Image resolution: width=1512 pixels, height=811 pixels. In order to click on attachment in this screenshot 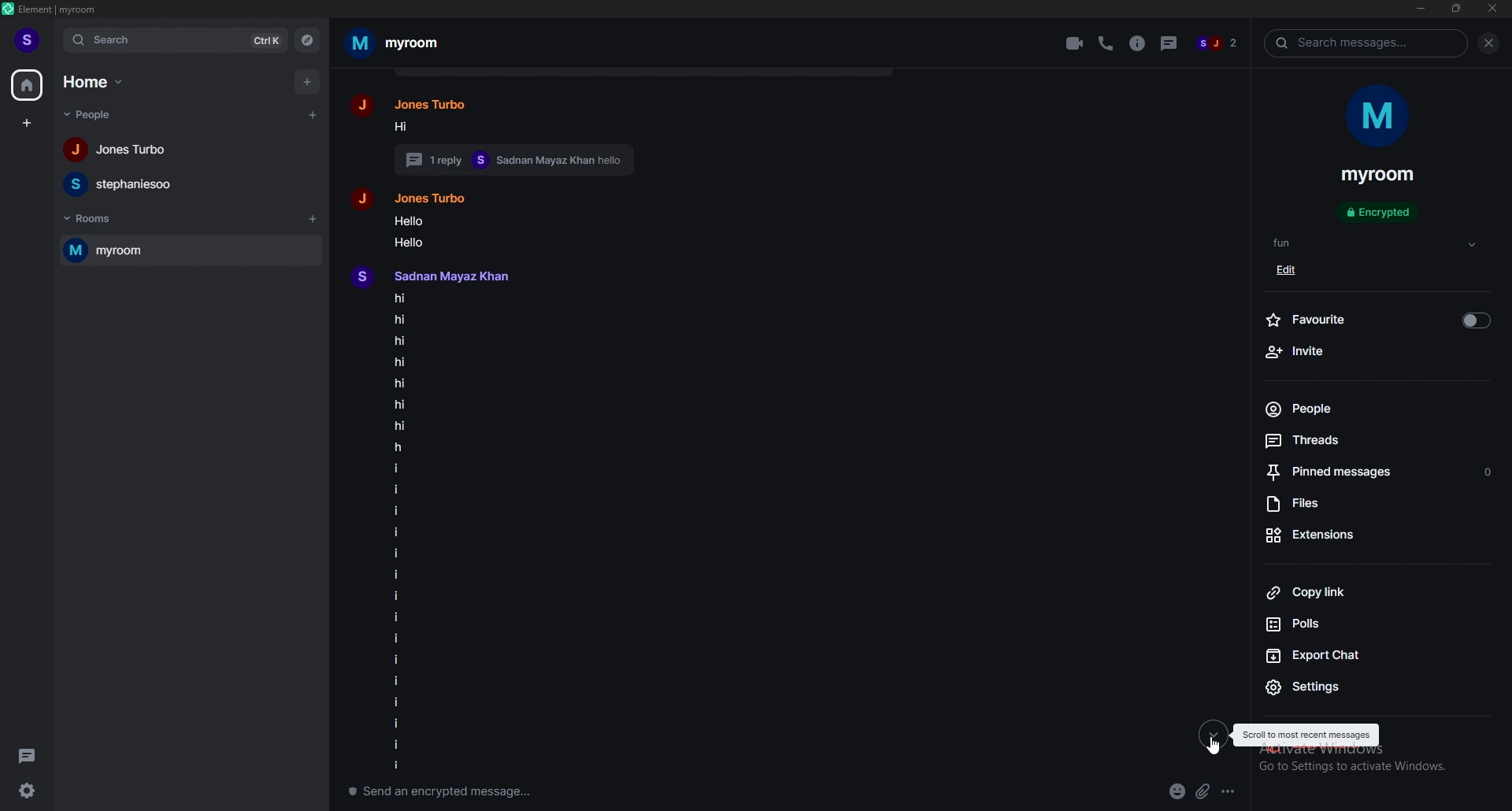, I will do `click(1202, 791)`.